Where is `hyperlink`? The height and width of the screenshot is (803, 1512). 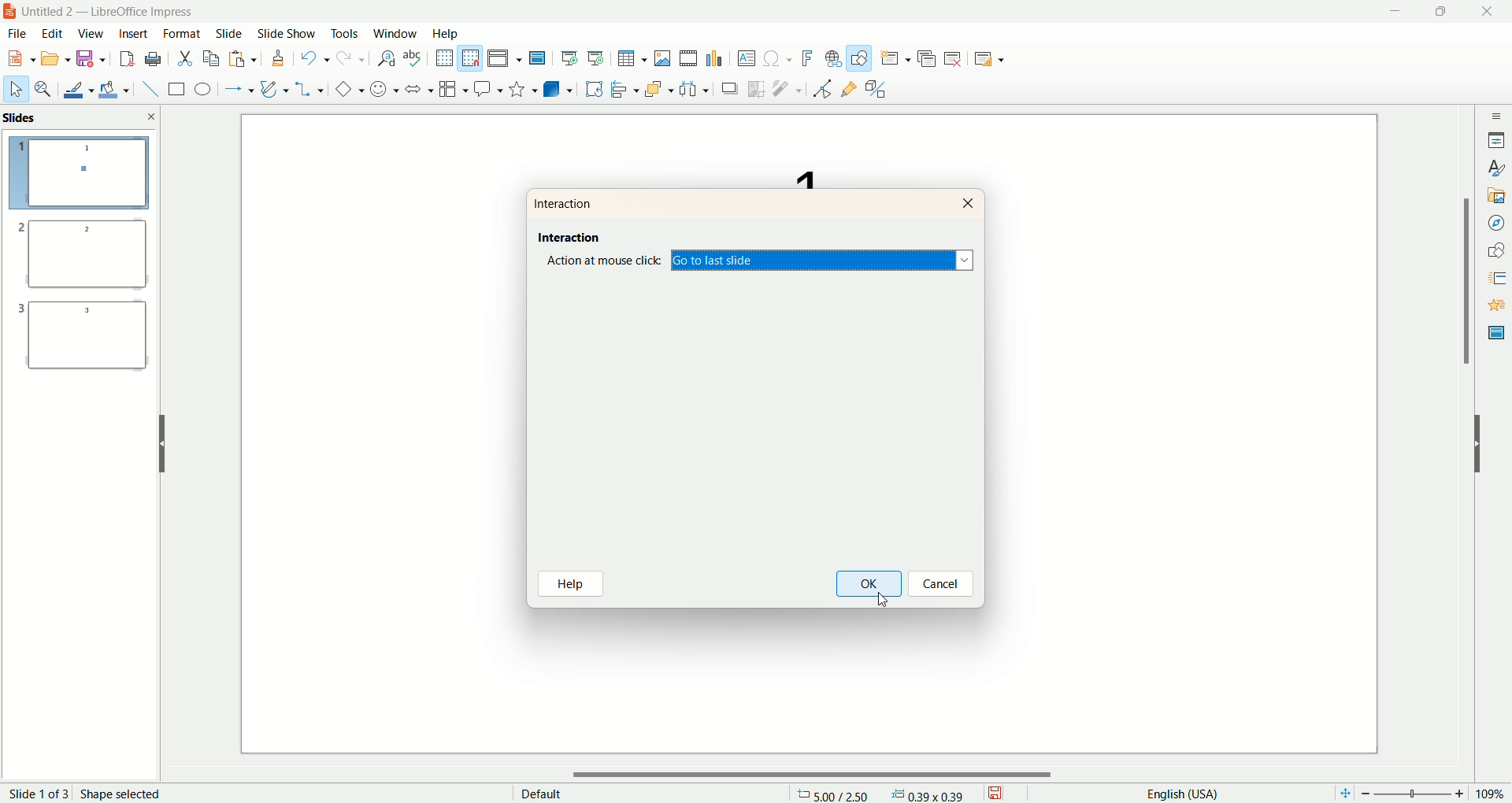
hyperlink is located at coordinates (830, 59).